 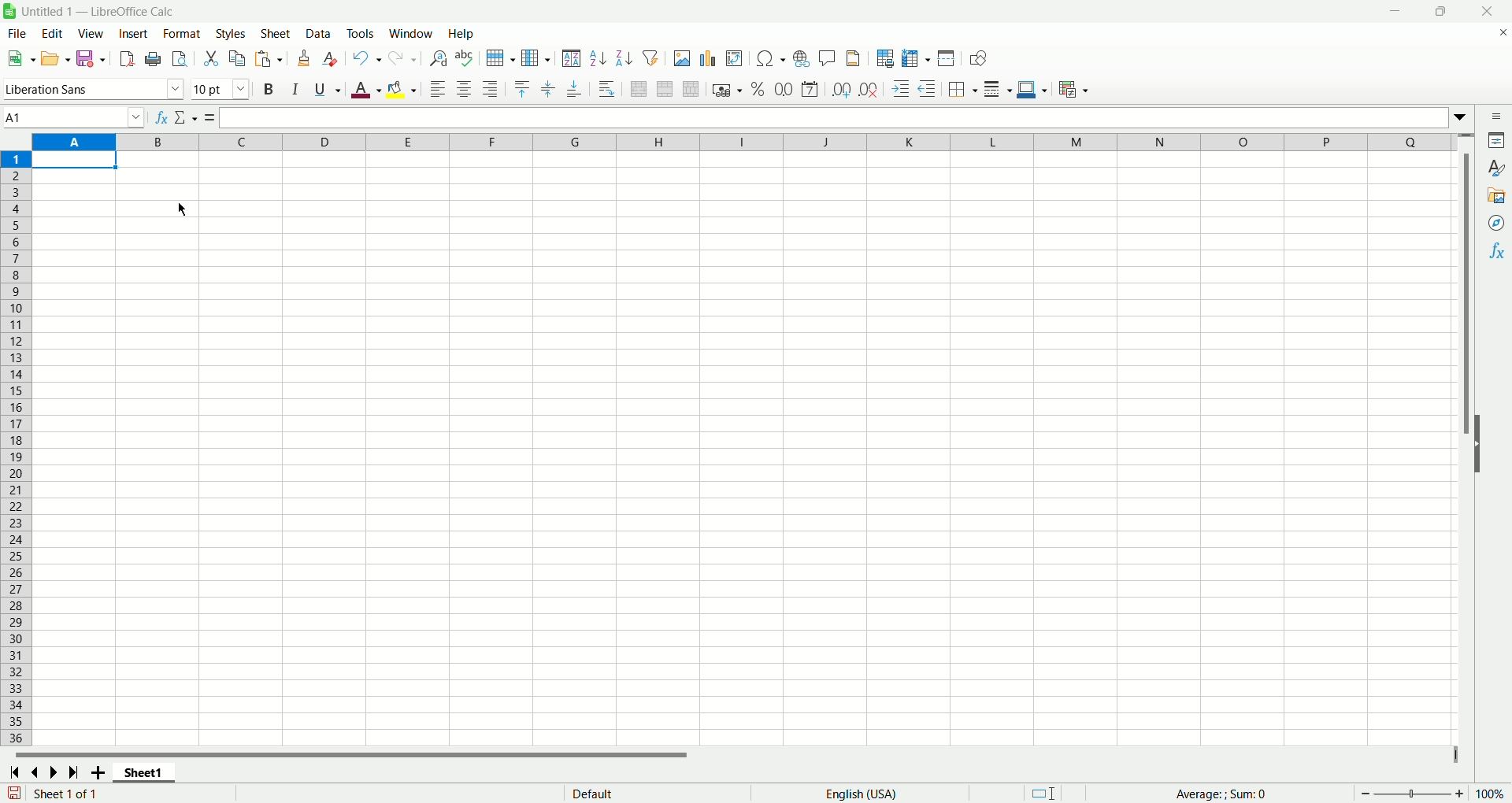 I want to click on function wizard, so click(x=158, y=116).